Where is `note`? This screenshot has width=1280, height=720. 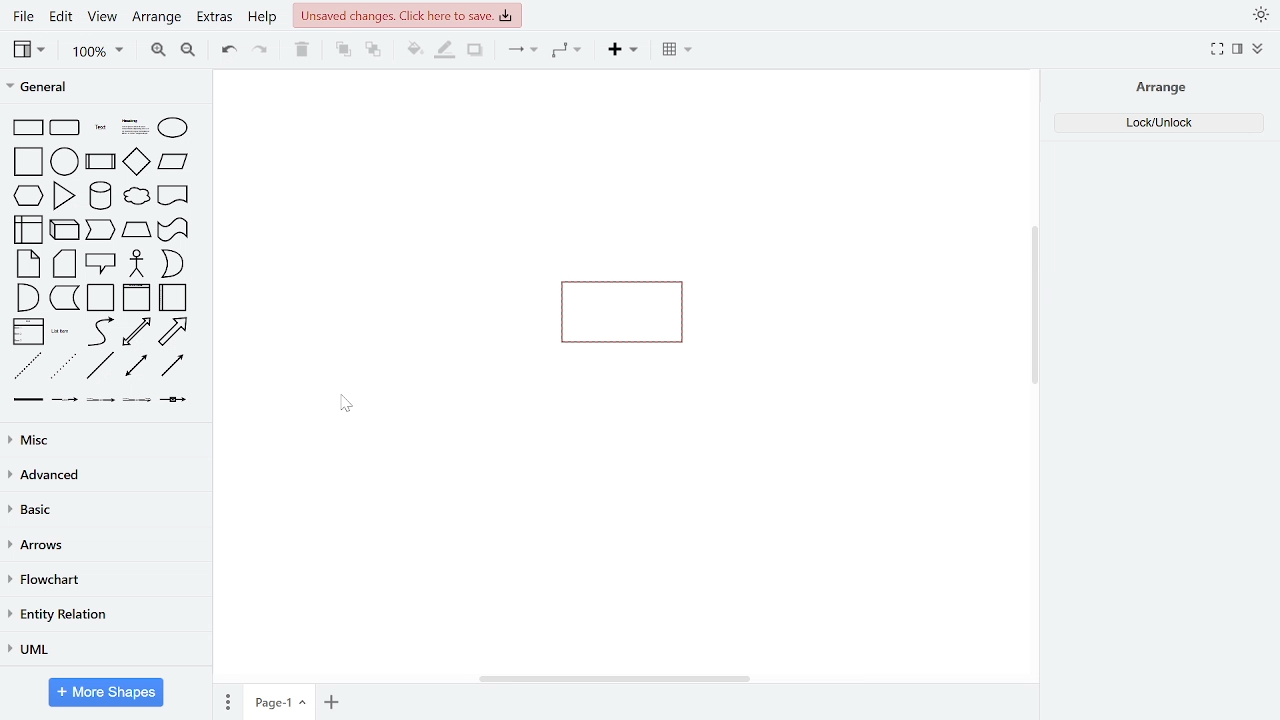
note is located at coordinates (28, 264).